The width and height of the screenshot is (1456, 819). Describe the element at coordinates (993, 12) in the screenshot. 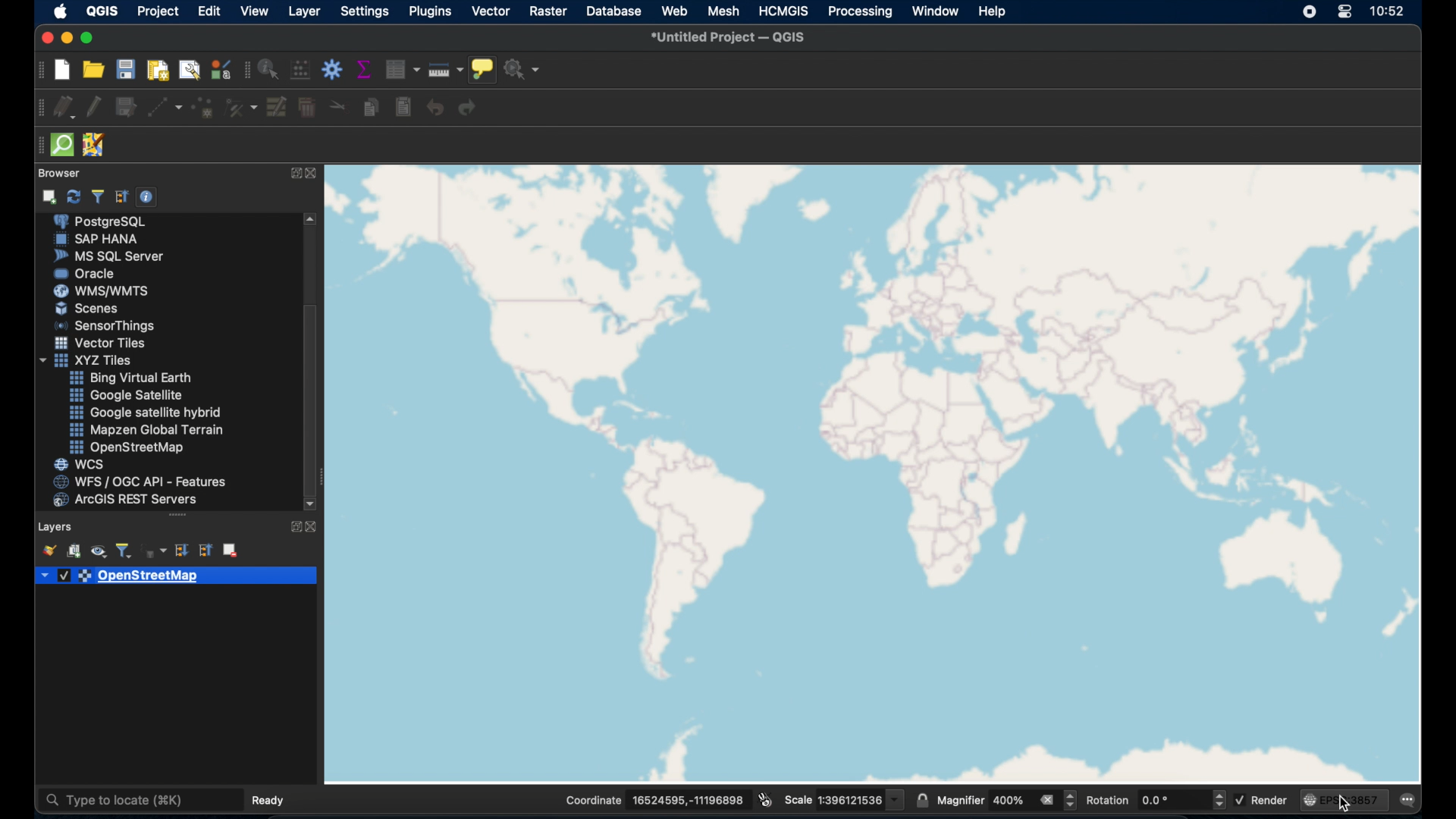

I see `help` at that location.